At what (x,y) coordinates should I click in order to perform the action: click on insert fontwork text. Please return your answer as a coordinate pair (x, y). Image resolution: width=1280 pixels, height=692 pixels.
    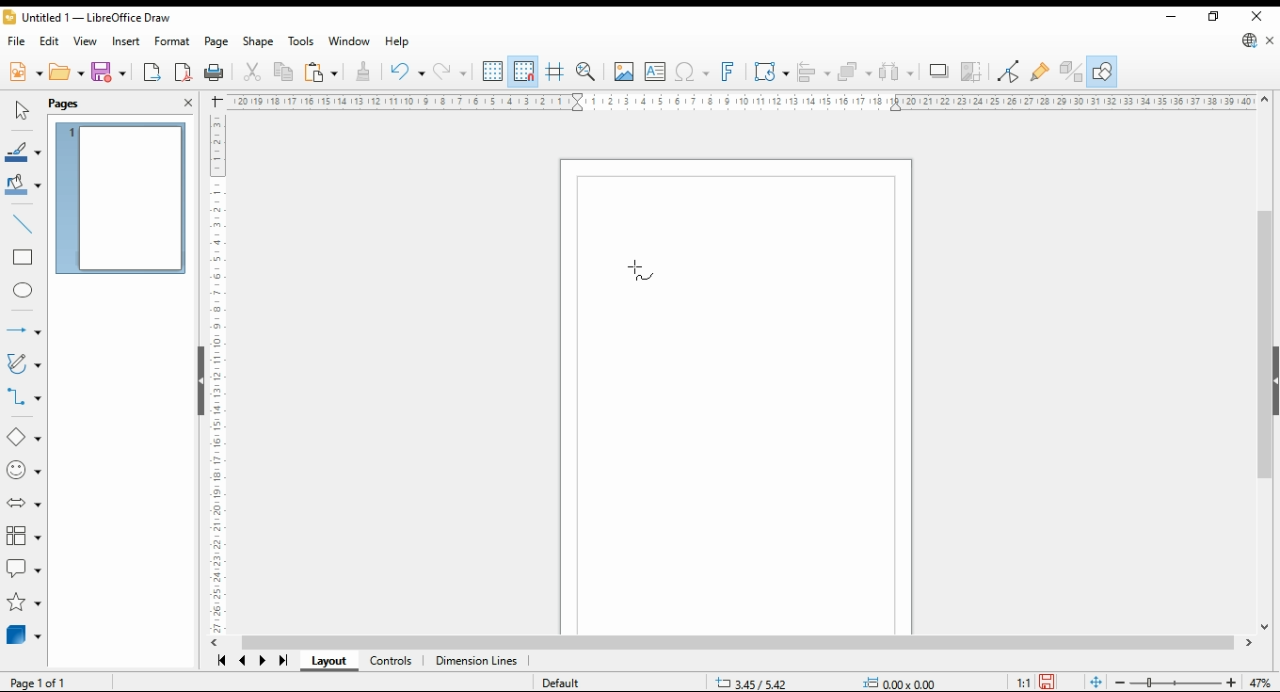
    Looking at the image, I should click on (729, 72).